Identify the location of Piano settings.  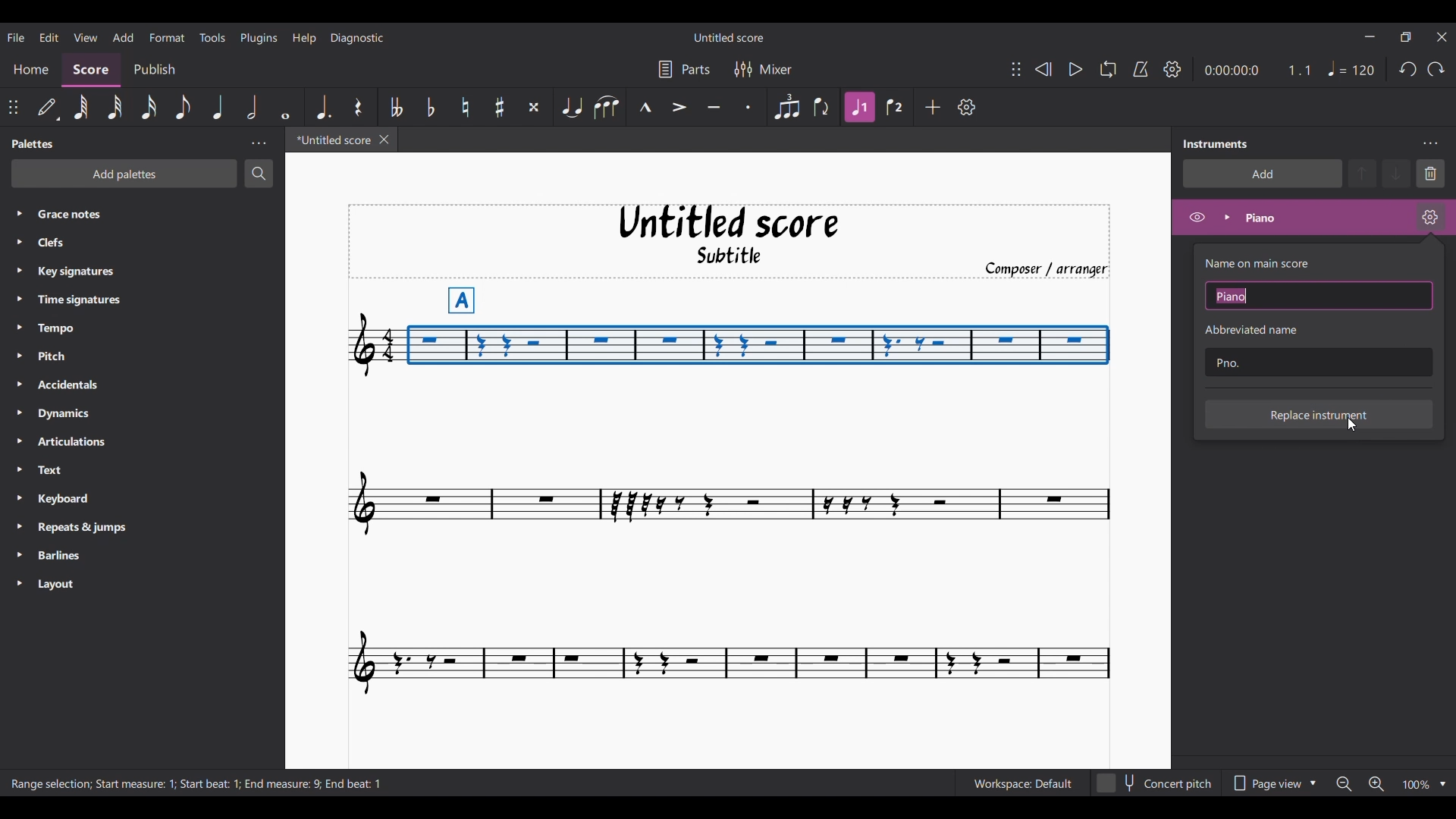
(1430, 217).